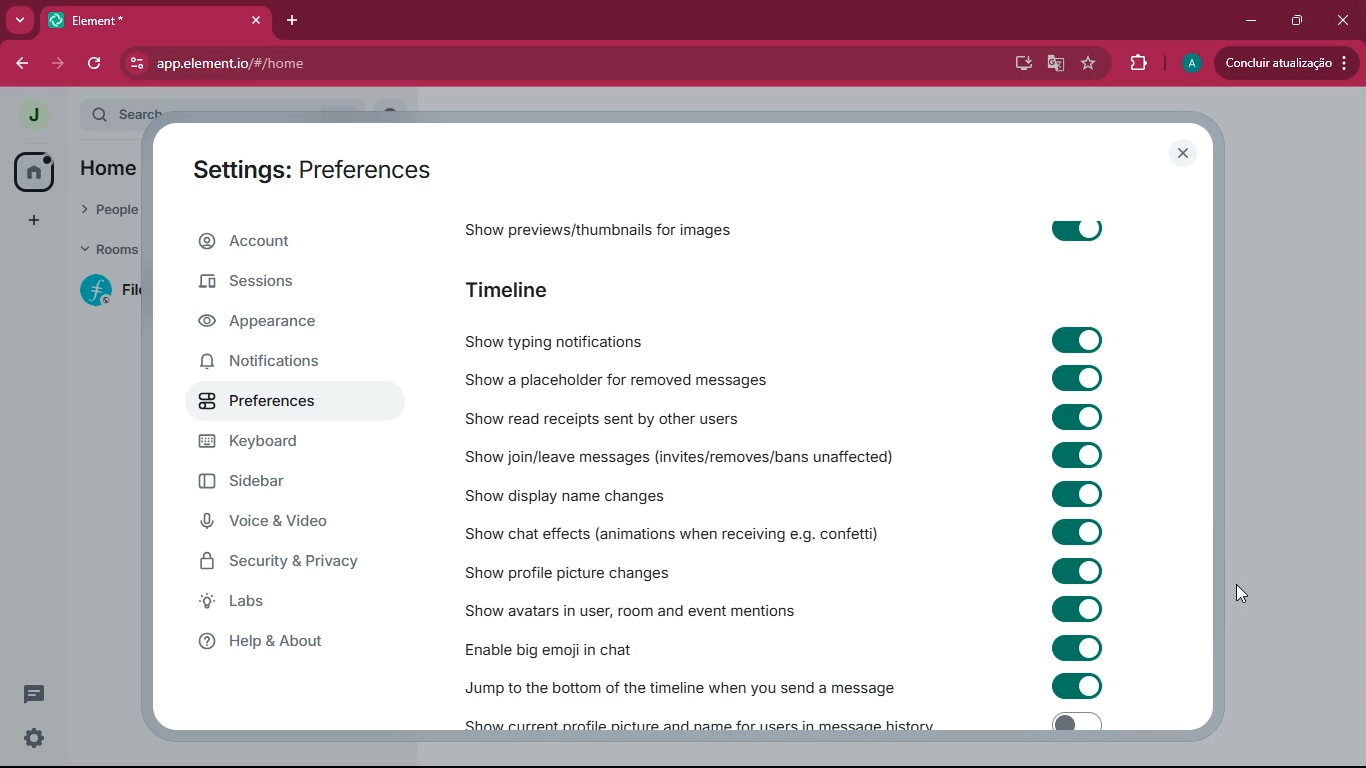  I want to click on labs, so click(284, 605).